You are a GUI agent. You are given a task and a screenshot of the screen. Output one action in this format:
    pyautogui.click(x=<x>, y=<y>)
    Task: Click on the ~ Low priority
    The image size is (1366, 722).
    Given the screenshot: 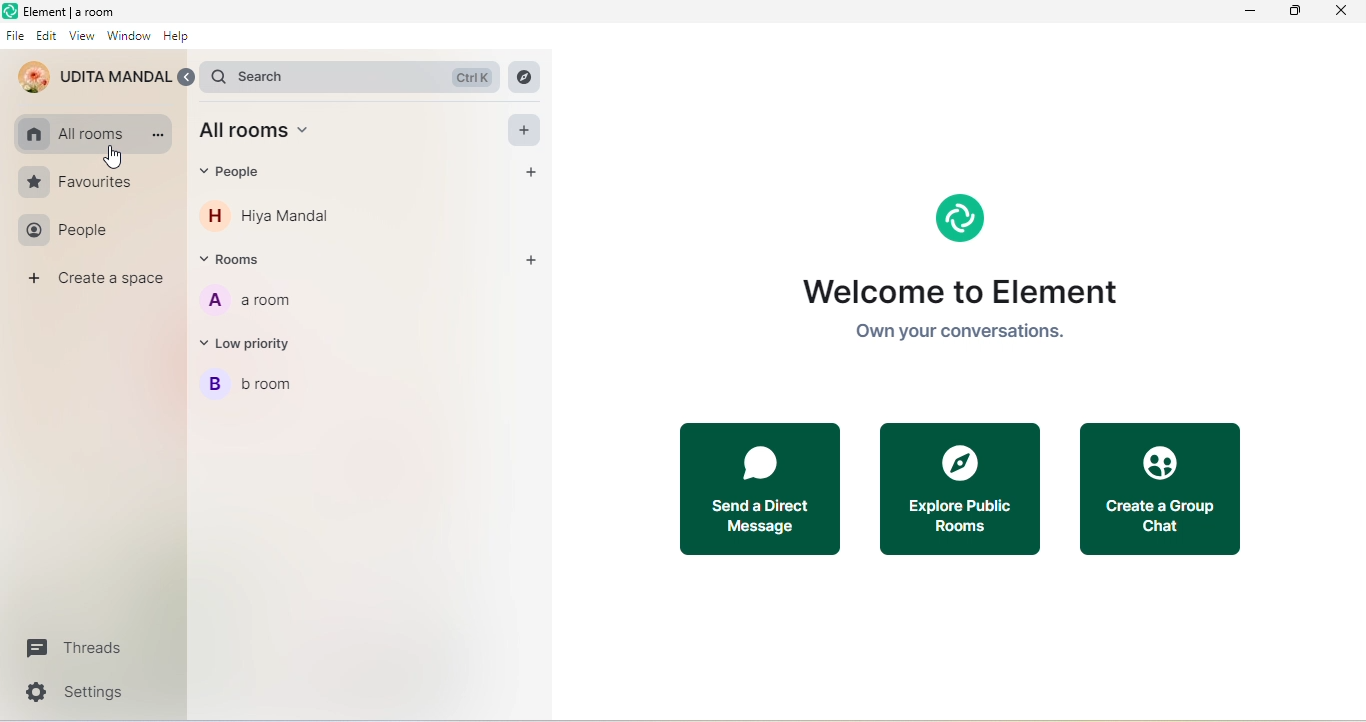 What is the action you would take?
    pyautogui.click(x=259, y=346)
    